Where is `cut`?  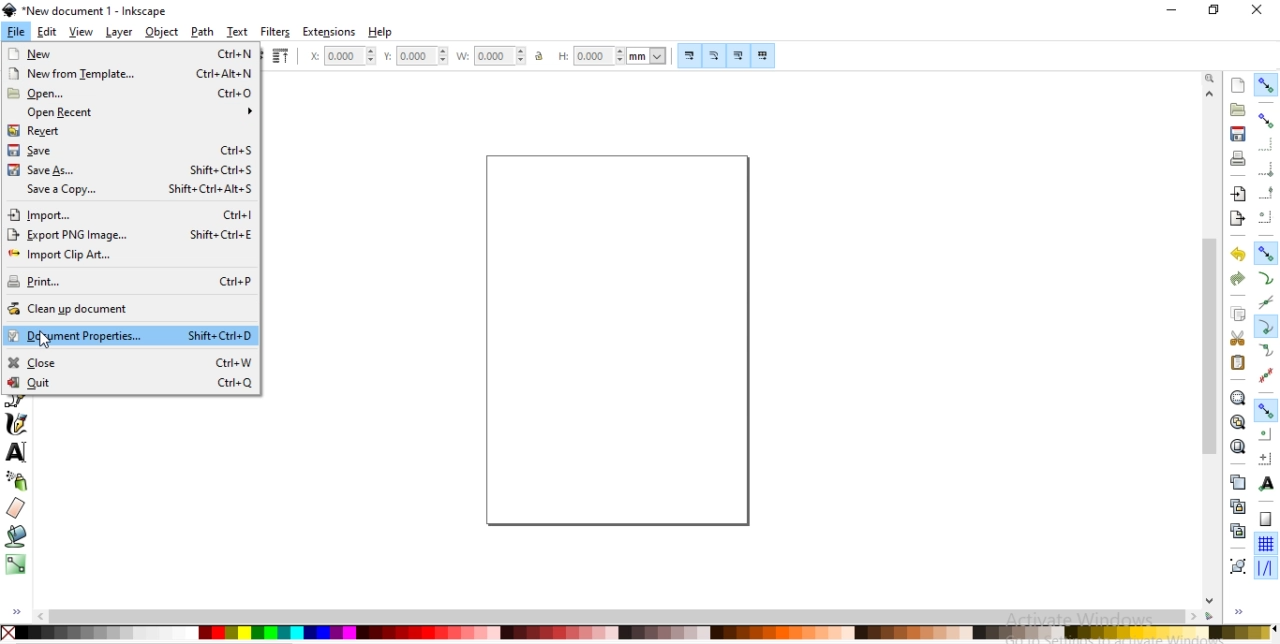
cut is located at coordinates (1238, 337).